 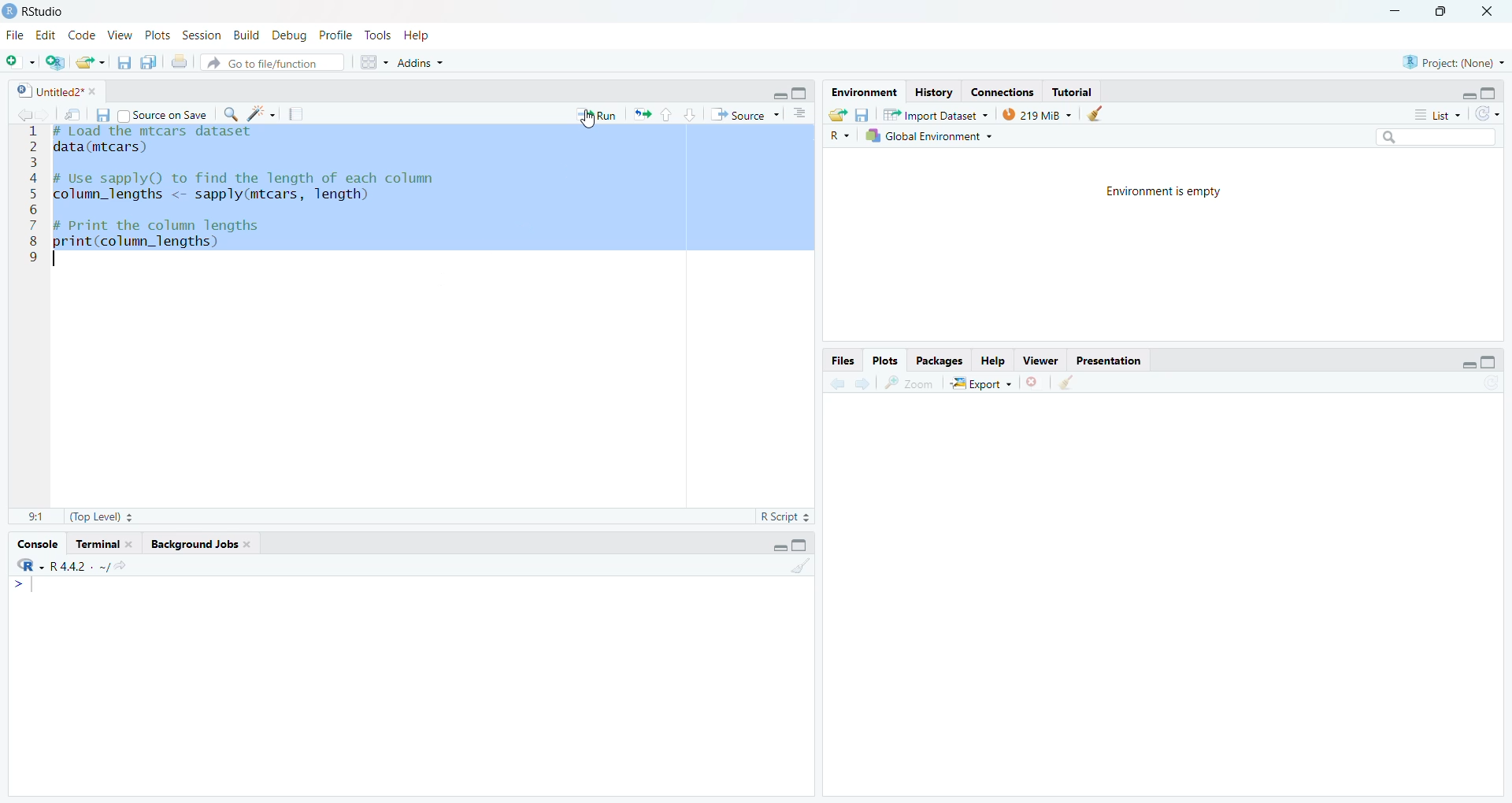 What do you see at coordinates (786, 516) in the screenshot?
I see `R Script` at bounding box center [786, 516].